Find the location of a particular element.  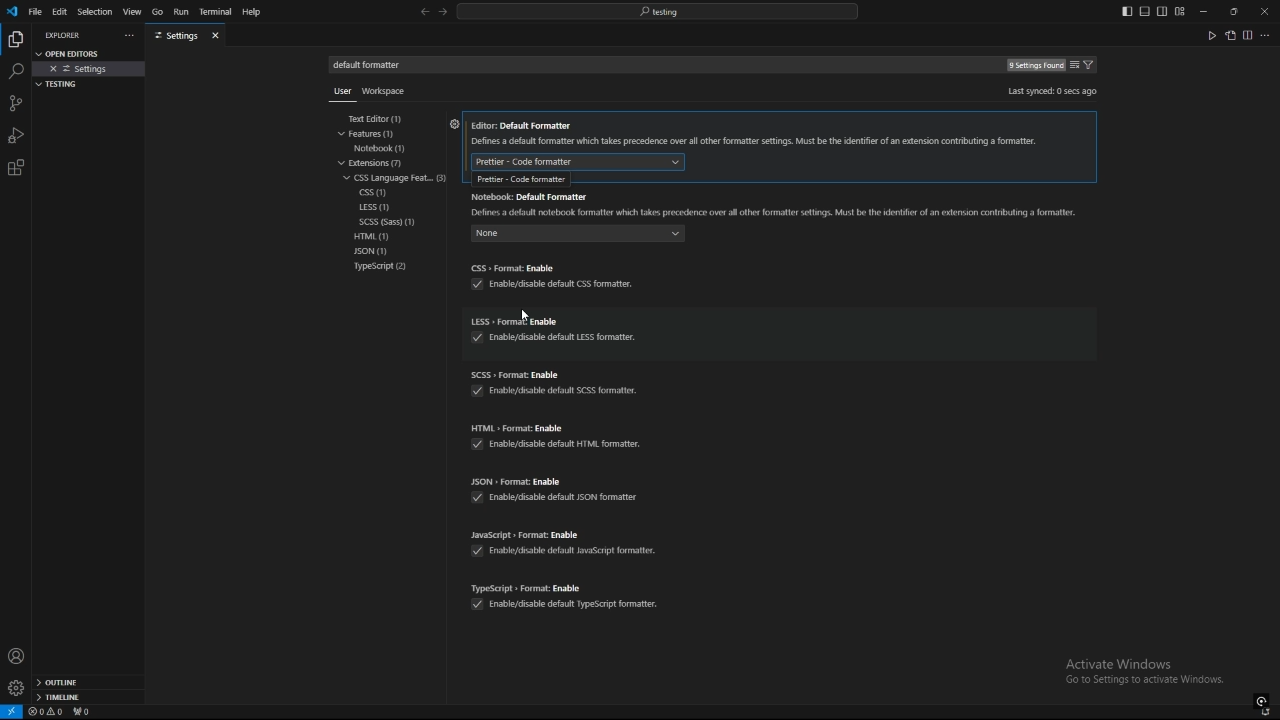

go is located at coordinates (157, 12).